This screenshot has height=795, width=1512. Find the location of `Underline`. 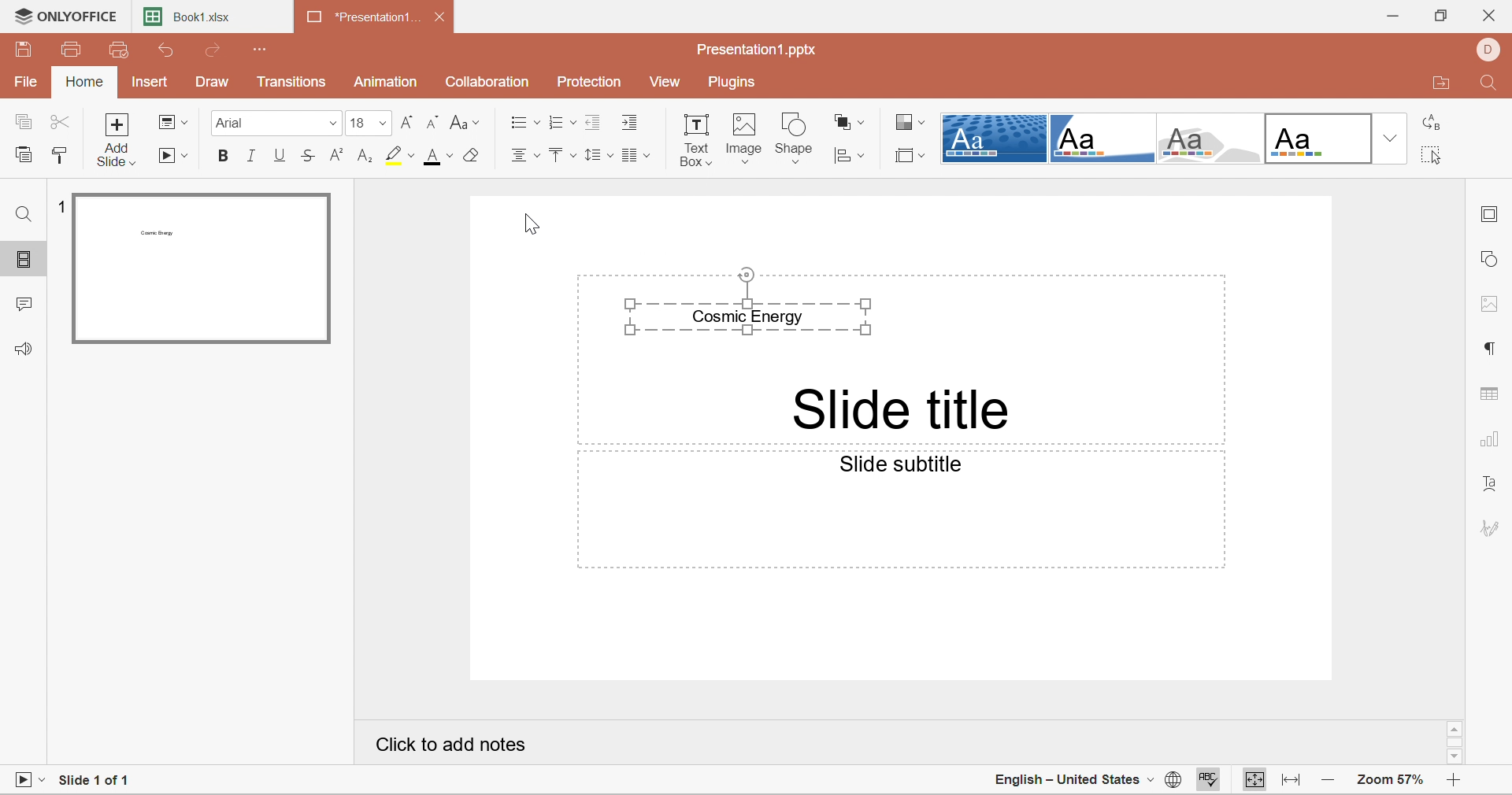

Underline is located at coordinates (280, 156).